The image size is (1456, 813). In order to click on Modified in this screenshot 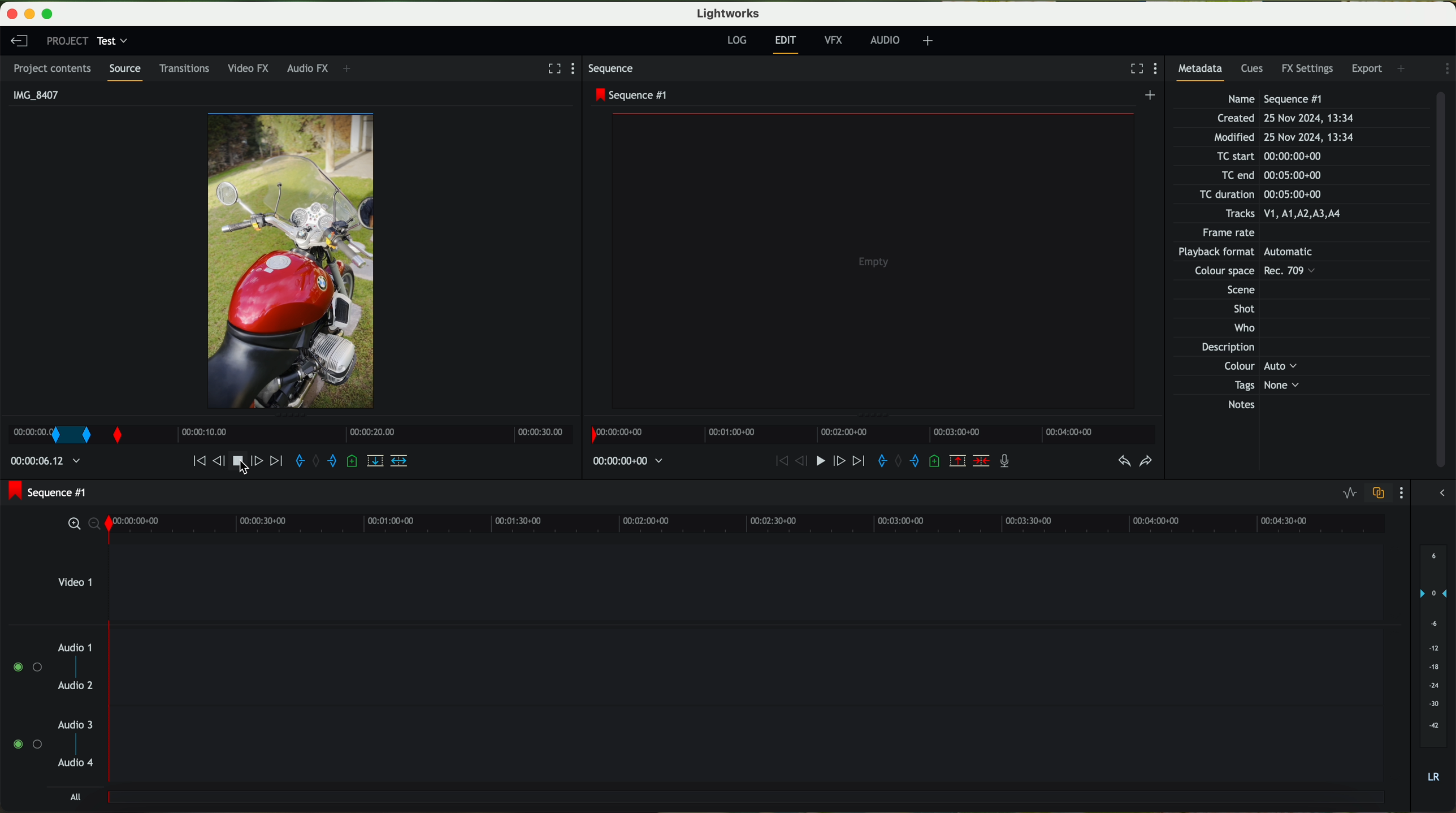, I will do `click(1282, 138)`.